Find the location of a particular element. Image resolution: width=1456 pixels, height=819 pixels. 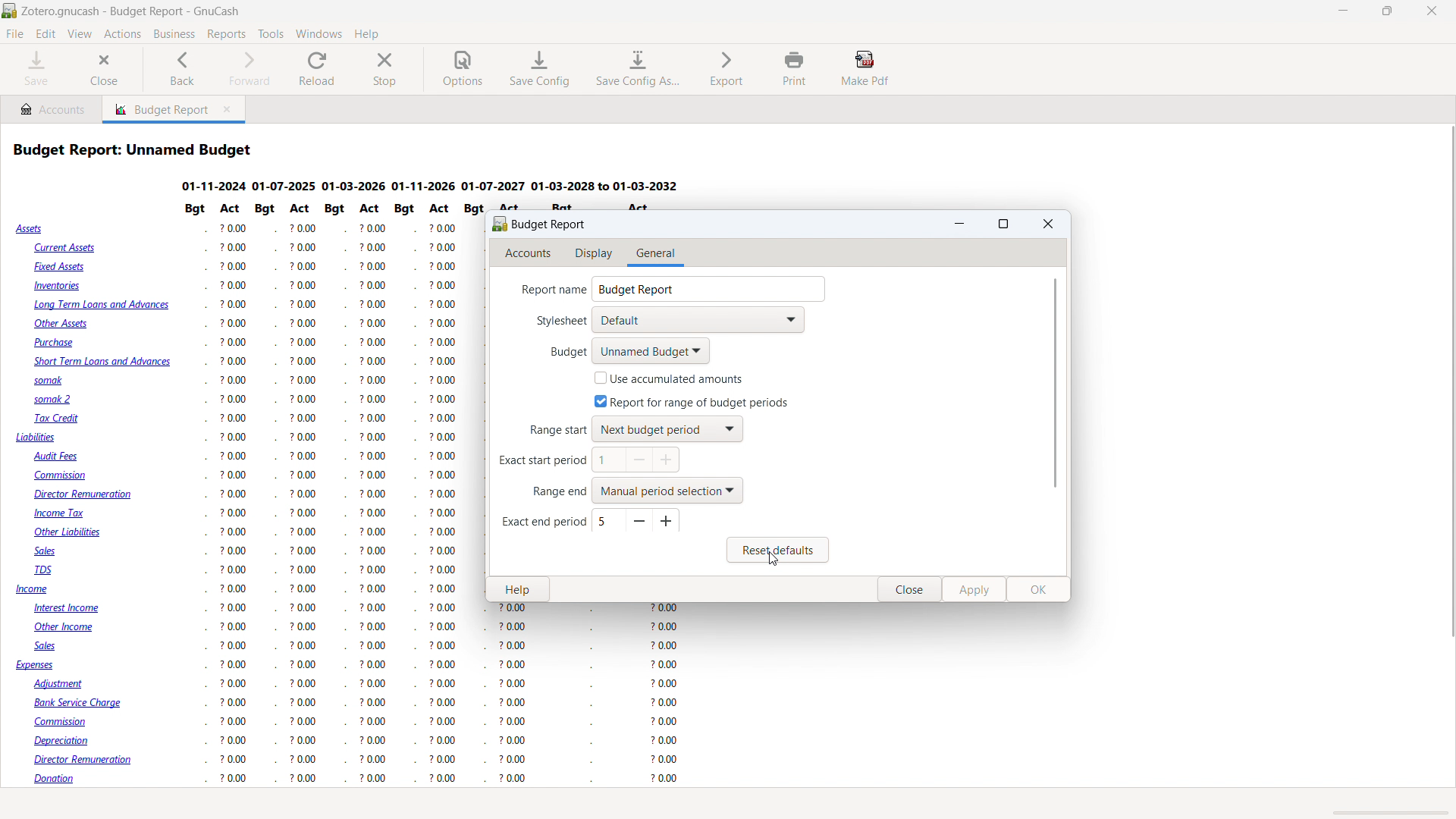

tools is located at coordinates (271, 34).